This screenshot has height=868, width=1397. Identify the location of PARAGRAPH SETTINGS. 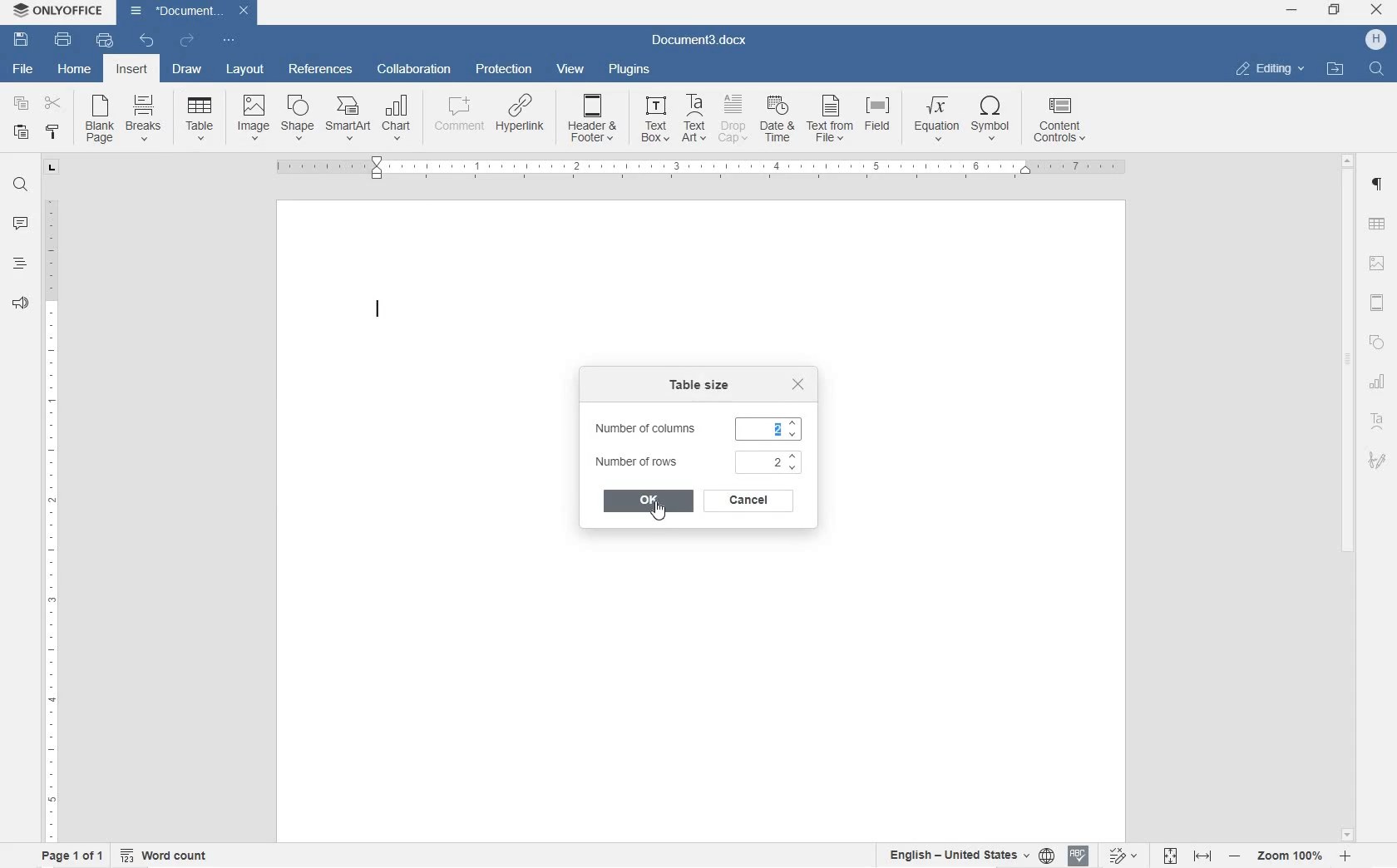
(1380, 186).